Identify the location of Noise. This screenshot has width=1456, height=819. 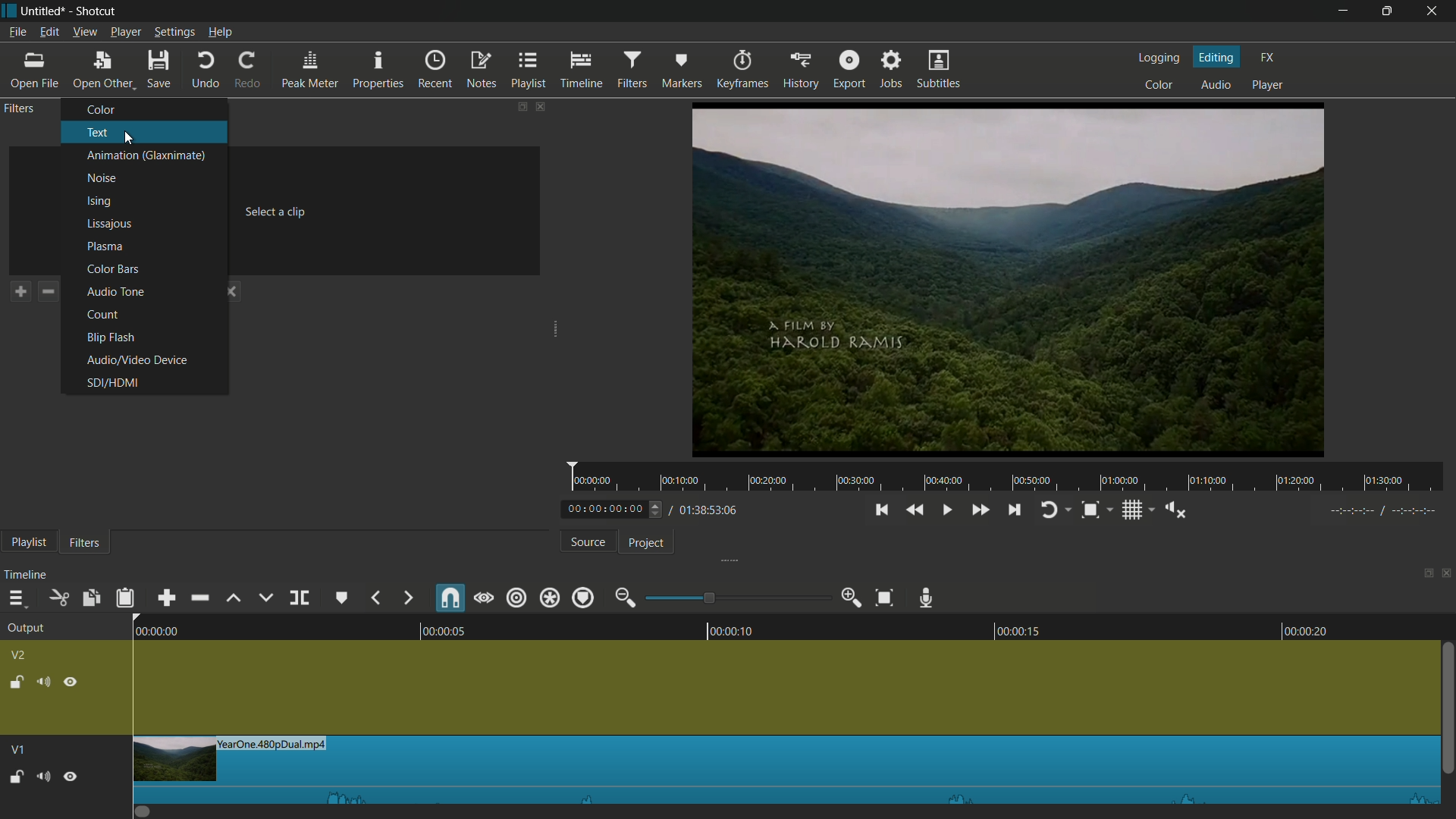
(101, 179).